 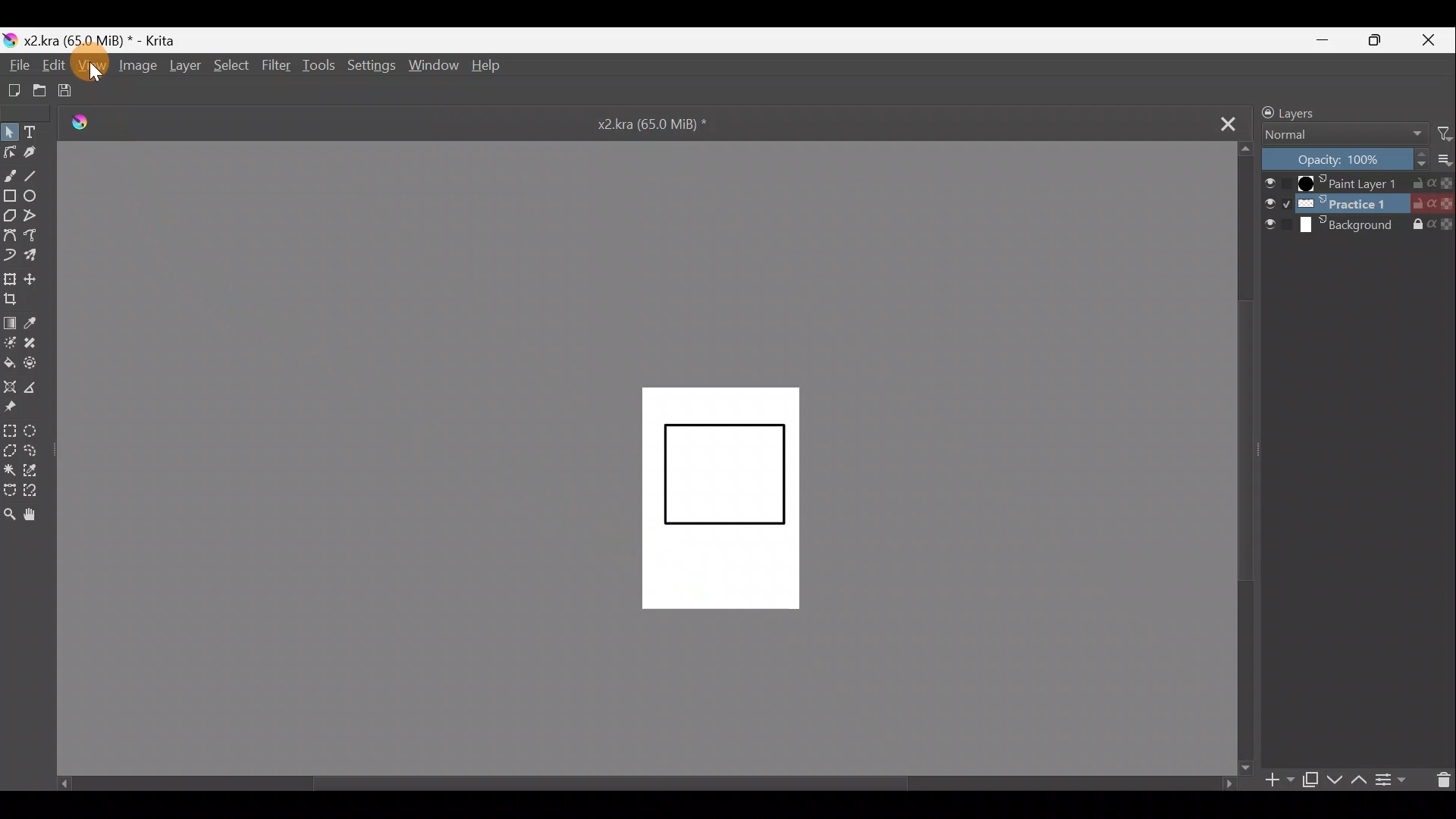 I want to click on Cursor, so click(x=93, y=63).